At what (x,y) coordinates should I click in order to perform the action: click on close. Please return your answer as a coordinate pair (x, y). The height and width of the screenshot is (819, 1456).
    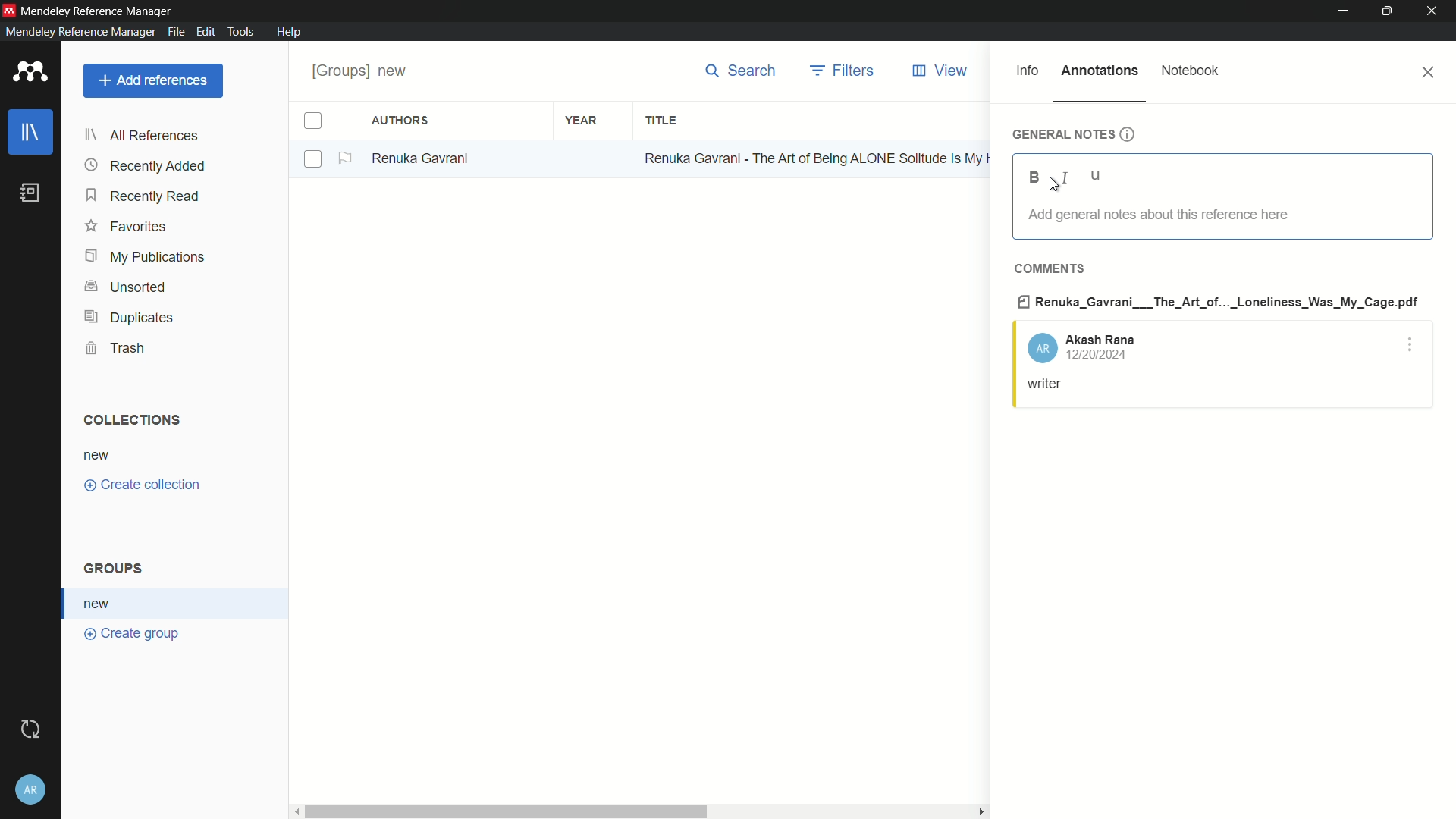
    Looking at the image, I should click on (1430, 72).